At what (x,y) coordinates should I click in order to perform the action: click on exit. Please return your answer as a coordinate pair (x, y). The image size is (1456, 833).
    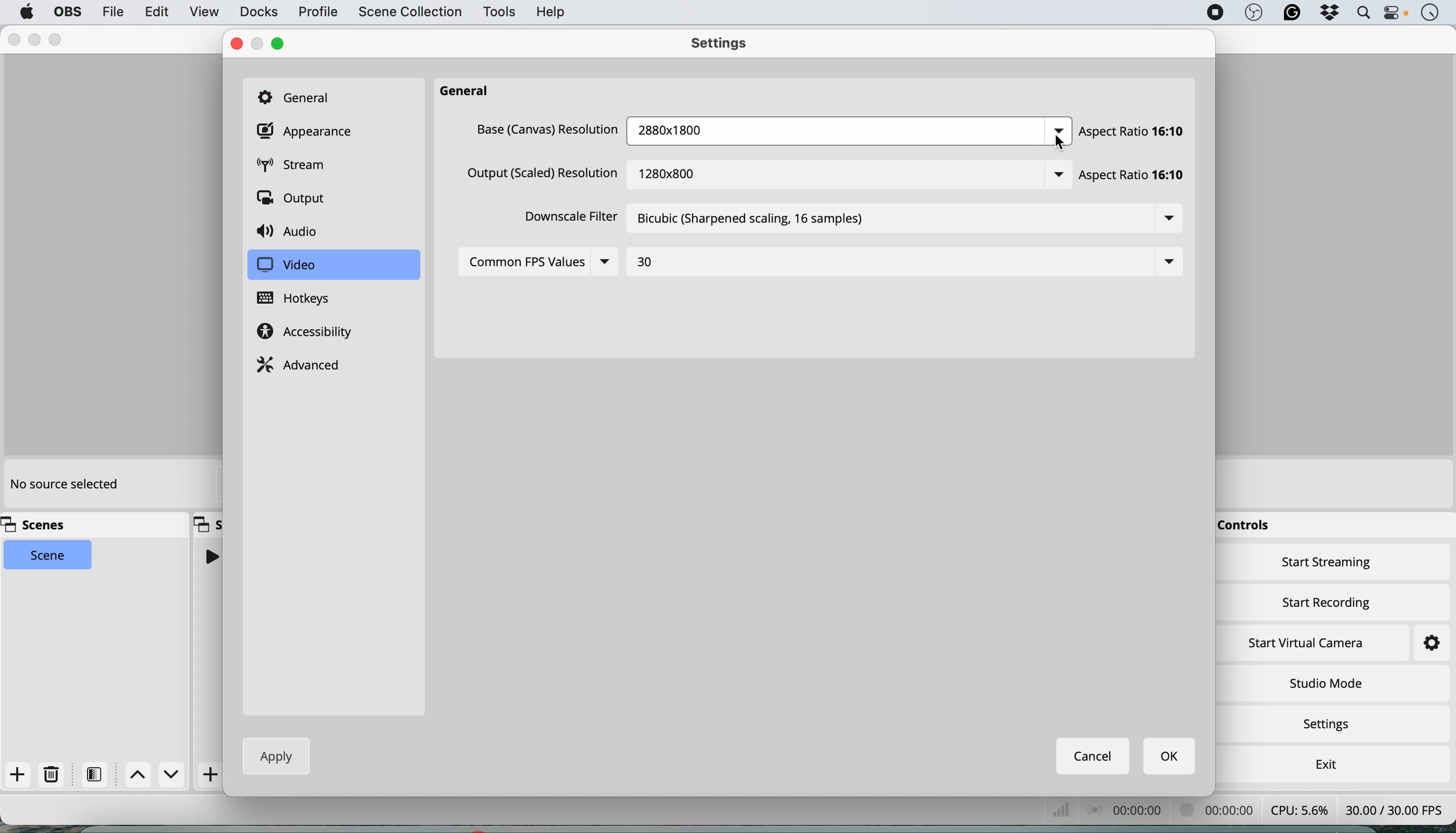
    Looking at the image, I should click on (1323, 761).